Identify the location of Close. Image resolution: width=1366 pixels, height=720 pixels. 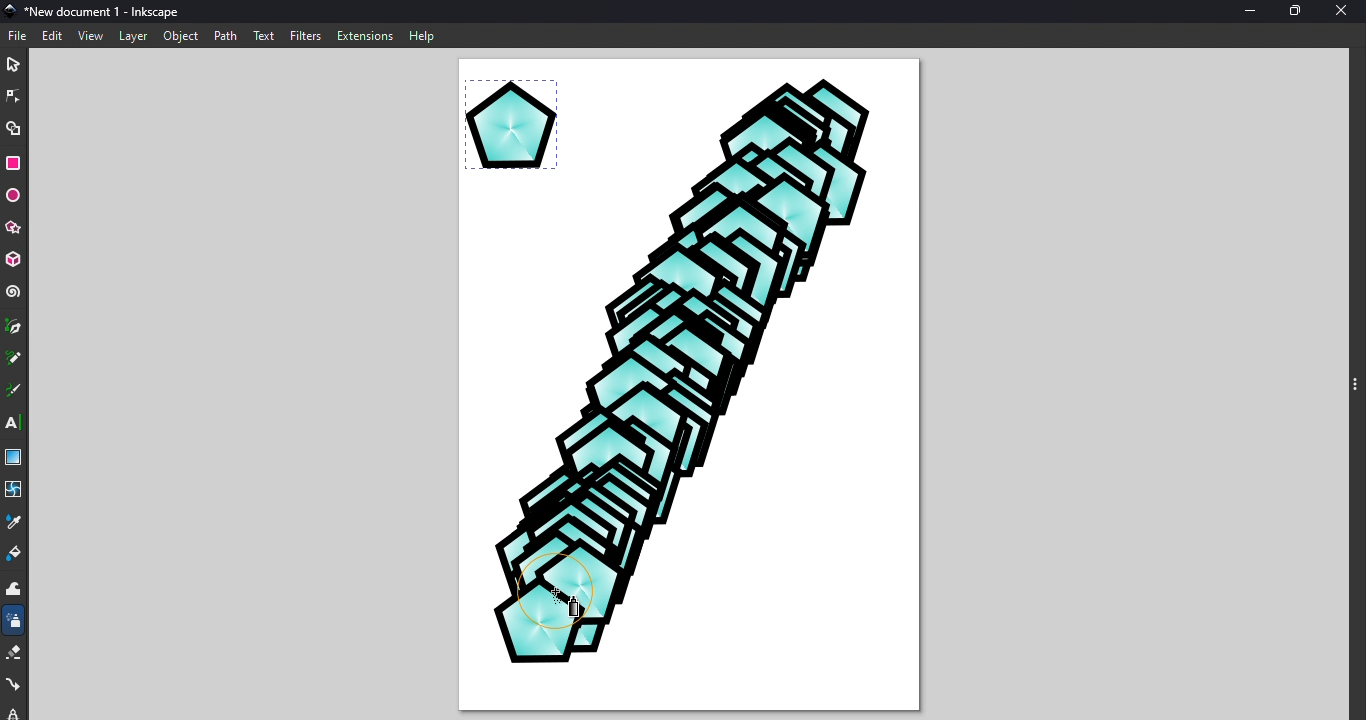
(1345, 11).